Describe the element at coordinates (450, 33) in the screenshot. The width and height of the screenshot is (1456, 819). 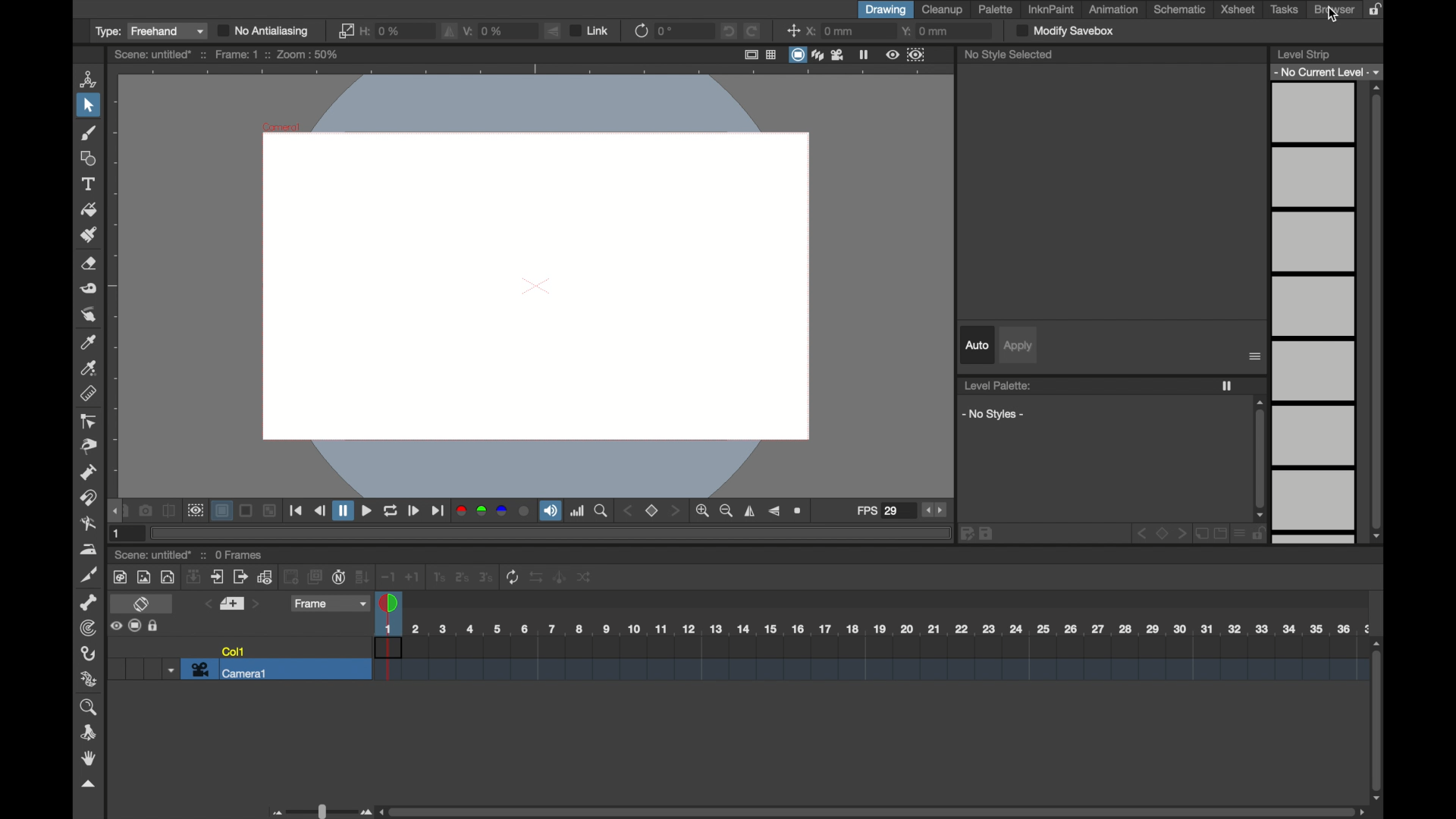
I see `flip horizontally` at that location.